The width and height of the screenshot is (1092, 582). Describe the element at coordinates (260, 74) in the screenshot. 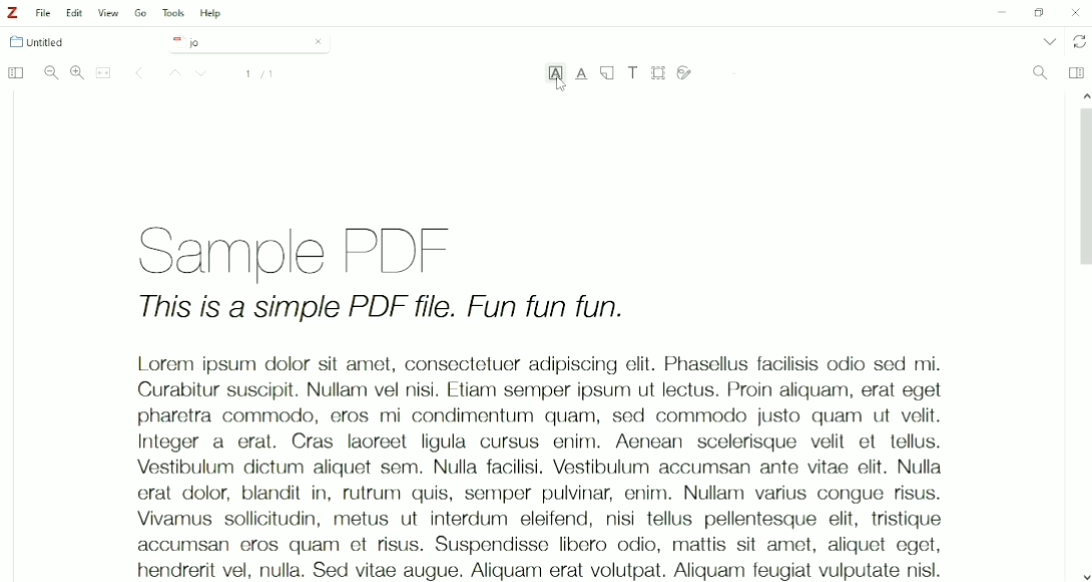

I see `Page number` at that location.